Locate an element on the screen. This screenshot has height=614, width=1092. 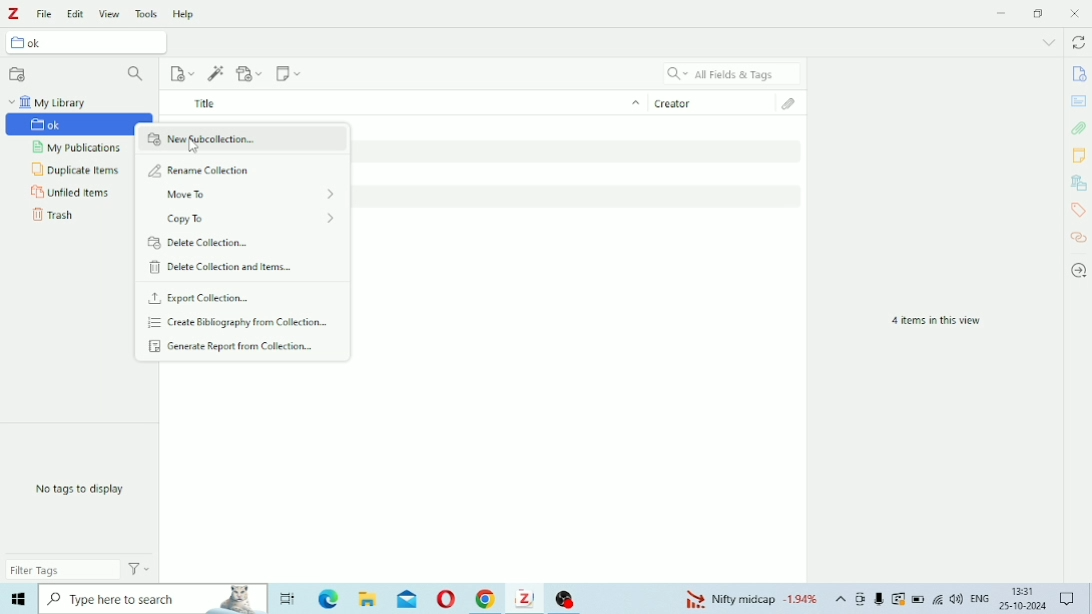
Notifications is located at coordinates (1067, 596).